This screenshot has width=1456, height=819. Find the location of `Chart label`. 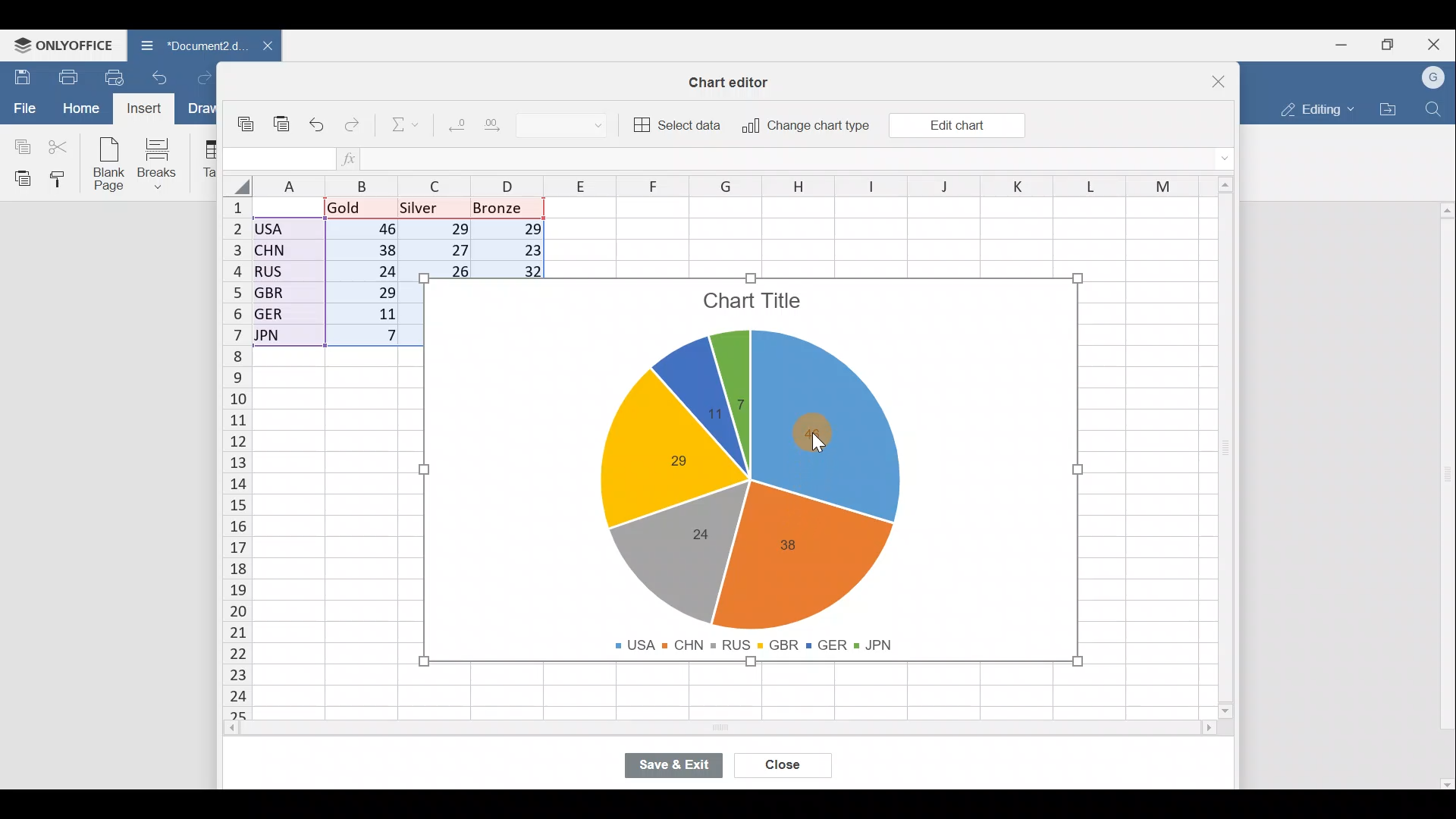

Chart label is located at coordinates (667, 460).